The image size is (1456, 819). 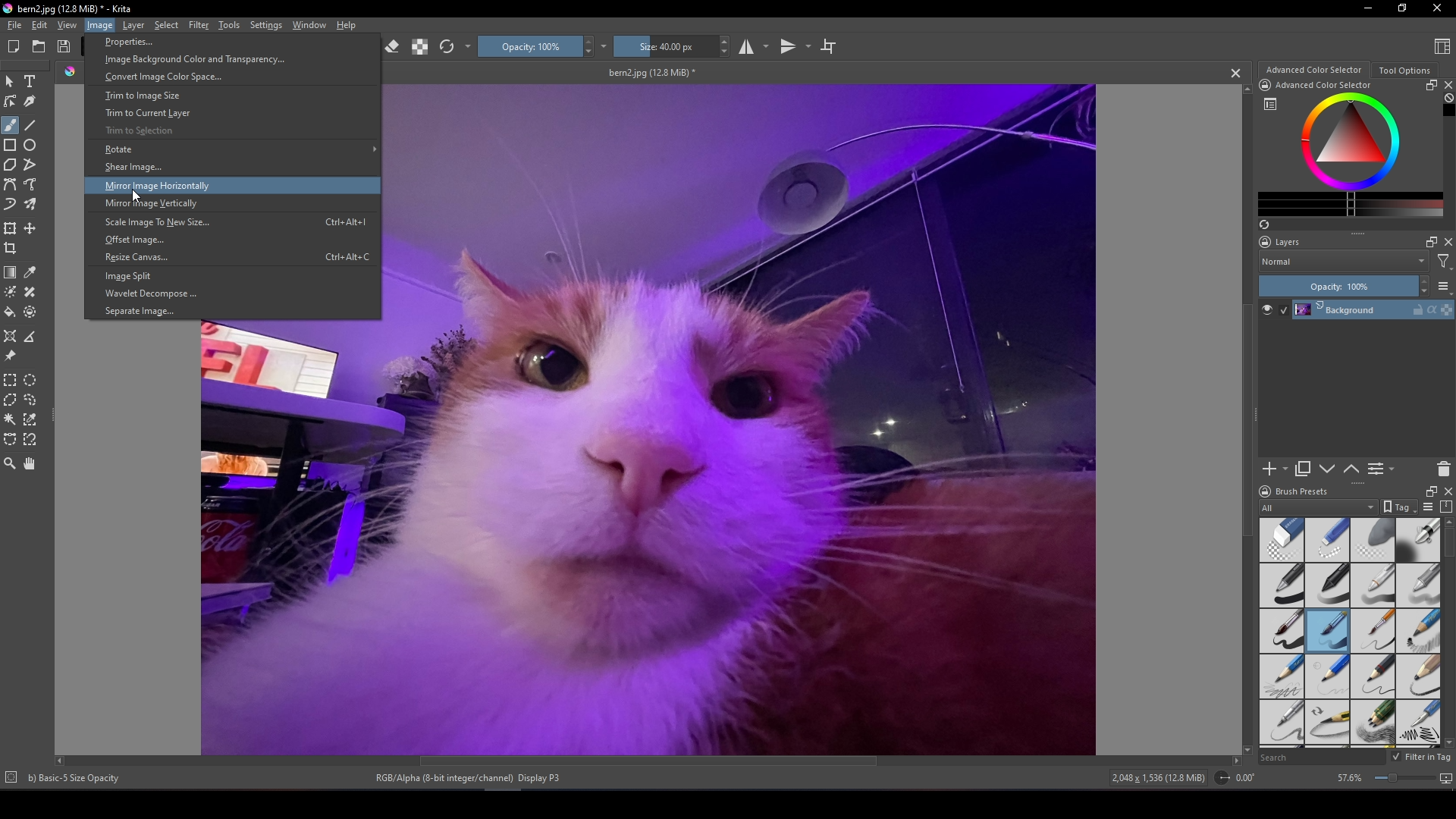 I want to click on Multibrush tool, so click(x=30, y=204).